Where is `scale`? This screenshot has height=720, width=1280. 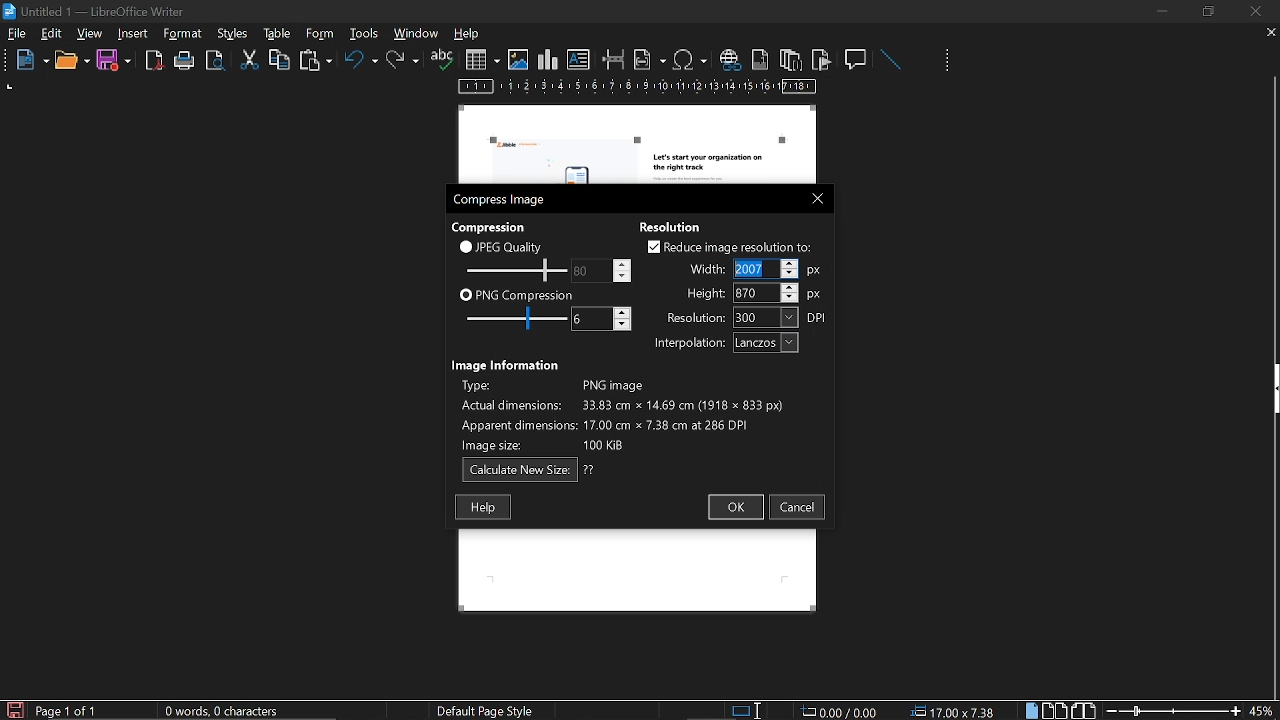
scale is located at coordinates (638, 88).